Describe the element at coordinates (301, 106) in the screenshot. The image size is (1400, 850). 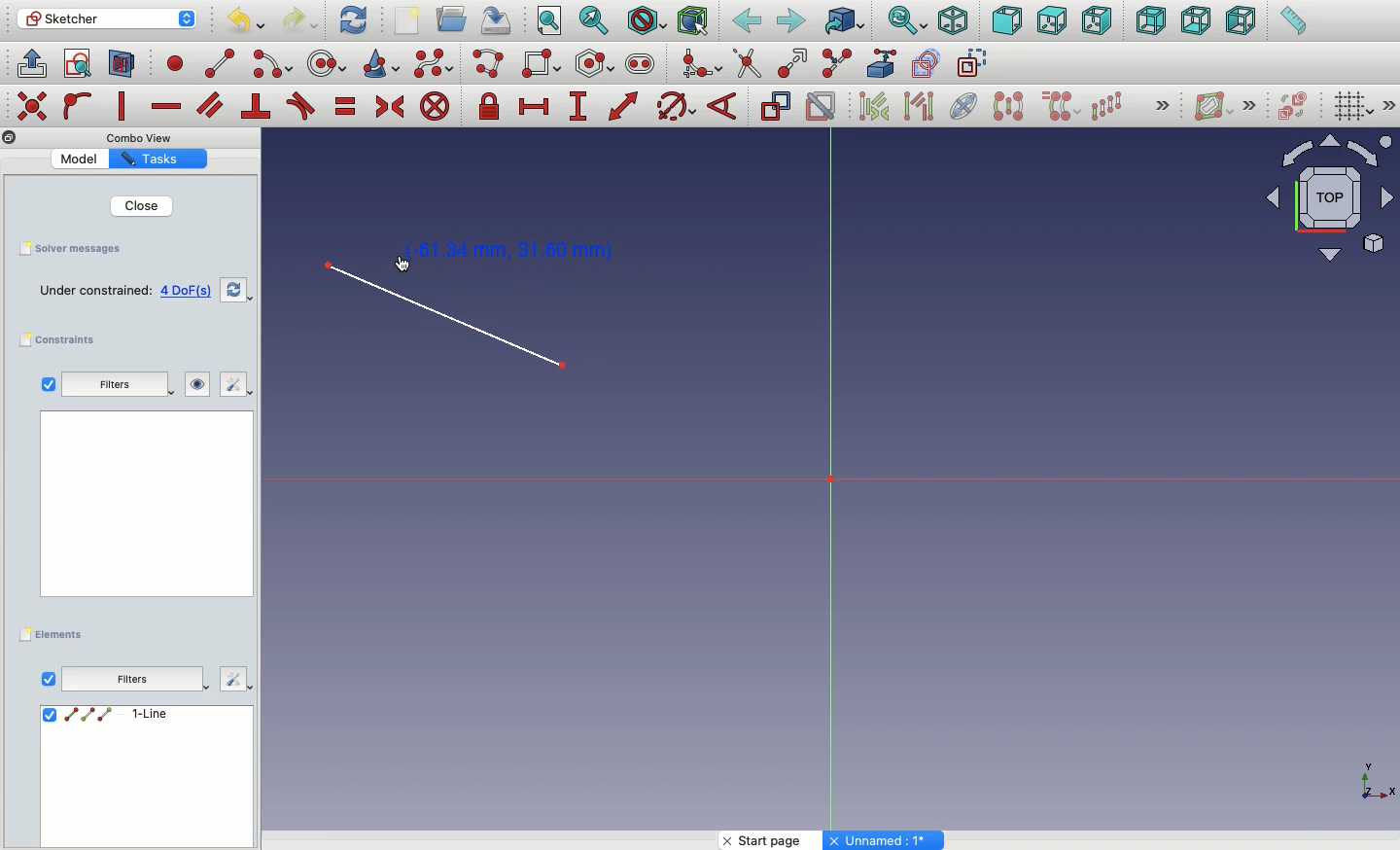
I see `Constrain tangent` at that location.